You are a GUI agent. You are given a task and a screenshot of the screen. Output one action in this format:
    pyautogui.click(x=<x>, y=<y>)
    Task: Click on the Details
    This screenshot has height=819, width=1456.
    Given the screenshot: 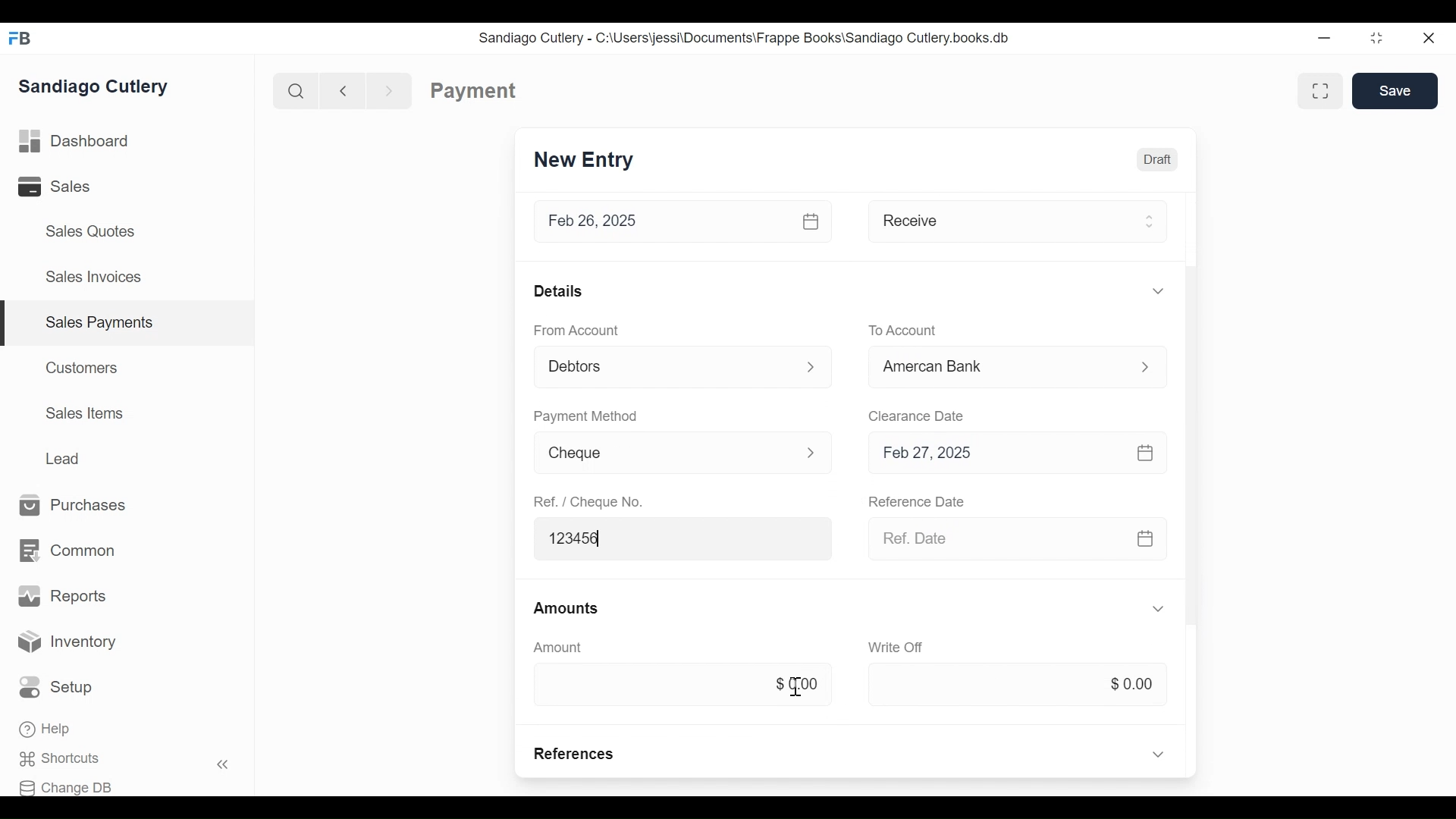 What is the action you would take?
    pyautogui.click(x=558, y=290)
    